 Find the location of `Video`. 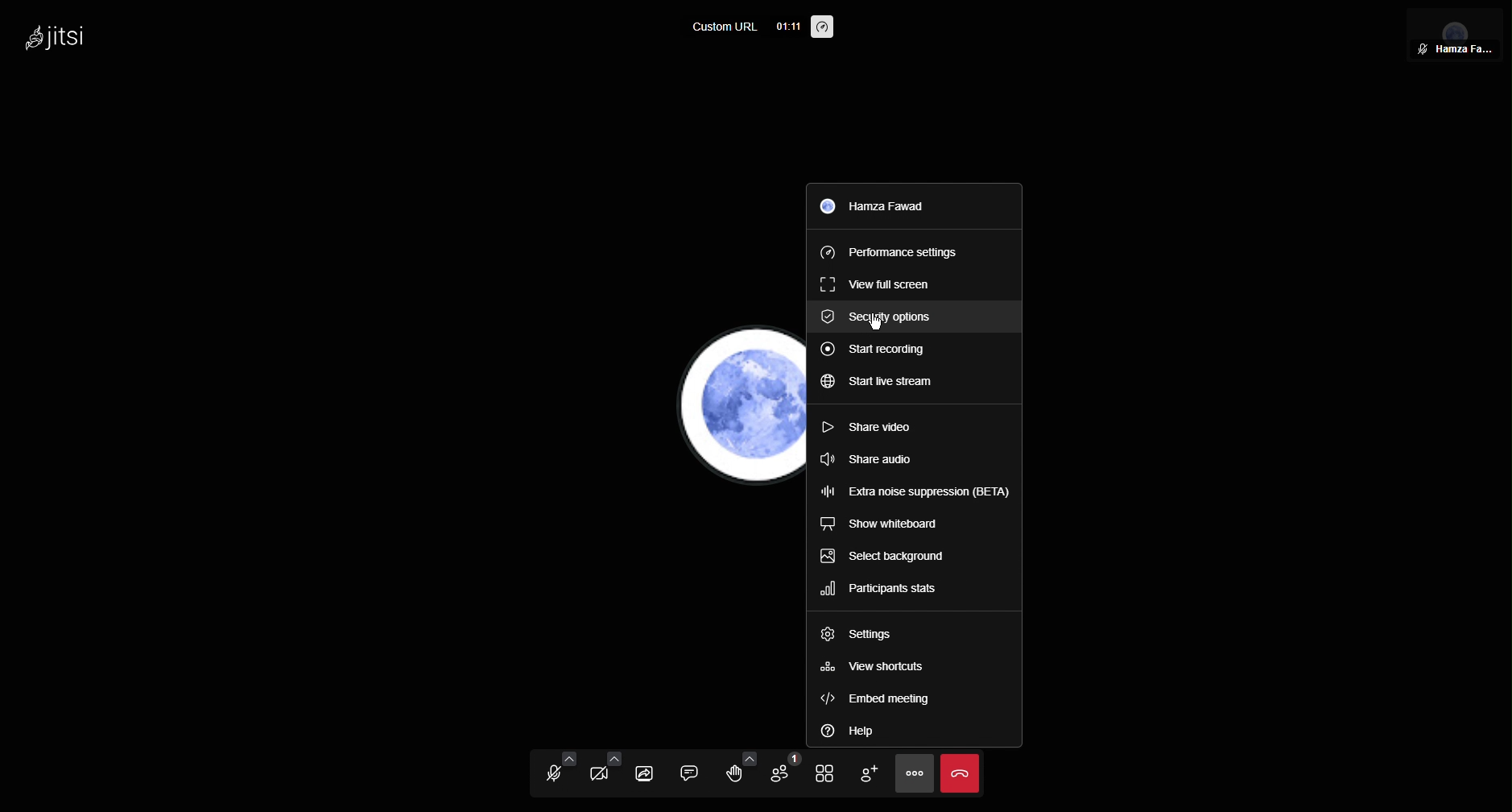

Video is located at coordinates (604, 773).